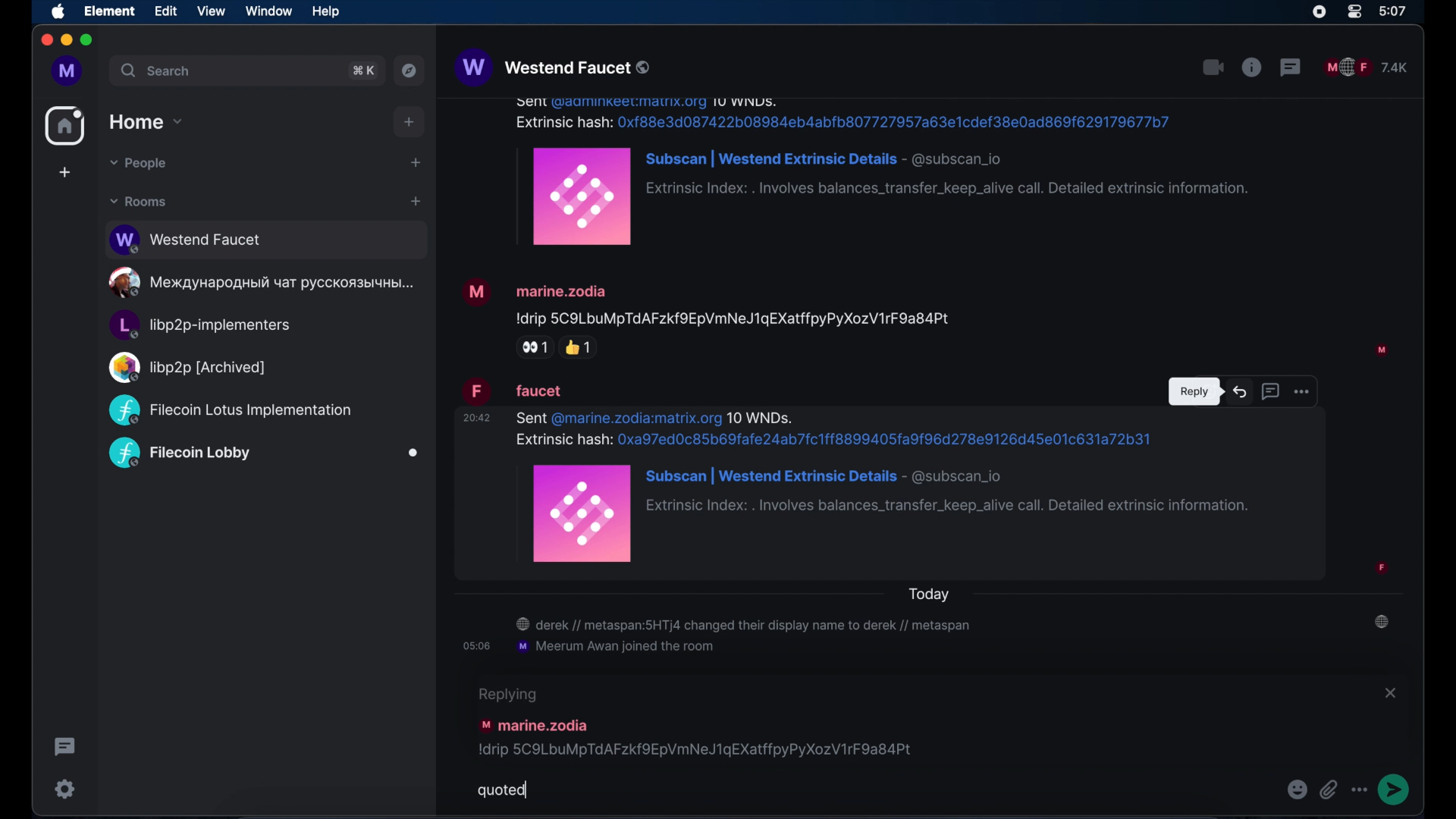 Image resolution: width=1456 pixels, height=819 pixels. I want to click on add, so click(409, 121).